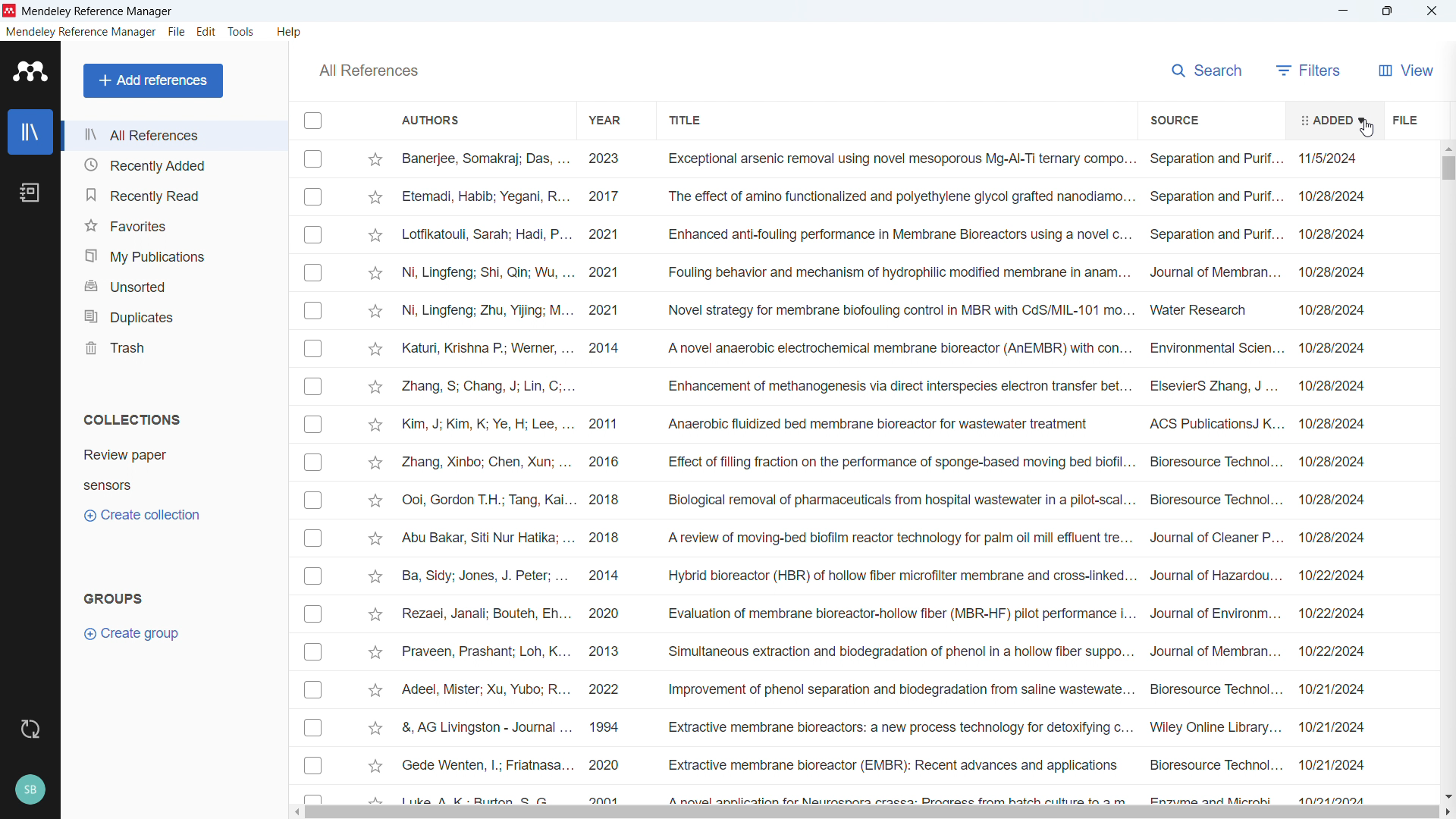  Describe the element at coordinates (173, 345) in the screenshot. I see `trash ` at that location.